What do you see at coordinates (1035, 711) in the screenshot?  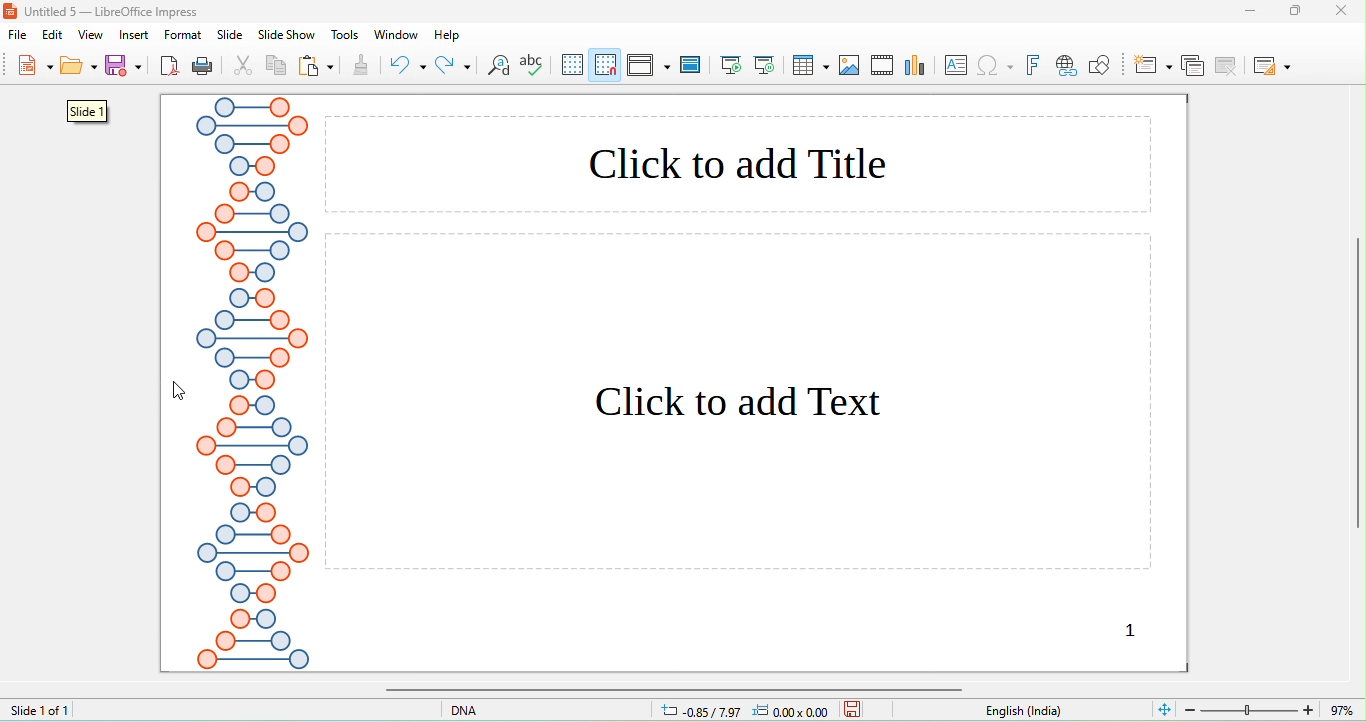 I see `English ` at bounding box center [1035, 711].